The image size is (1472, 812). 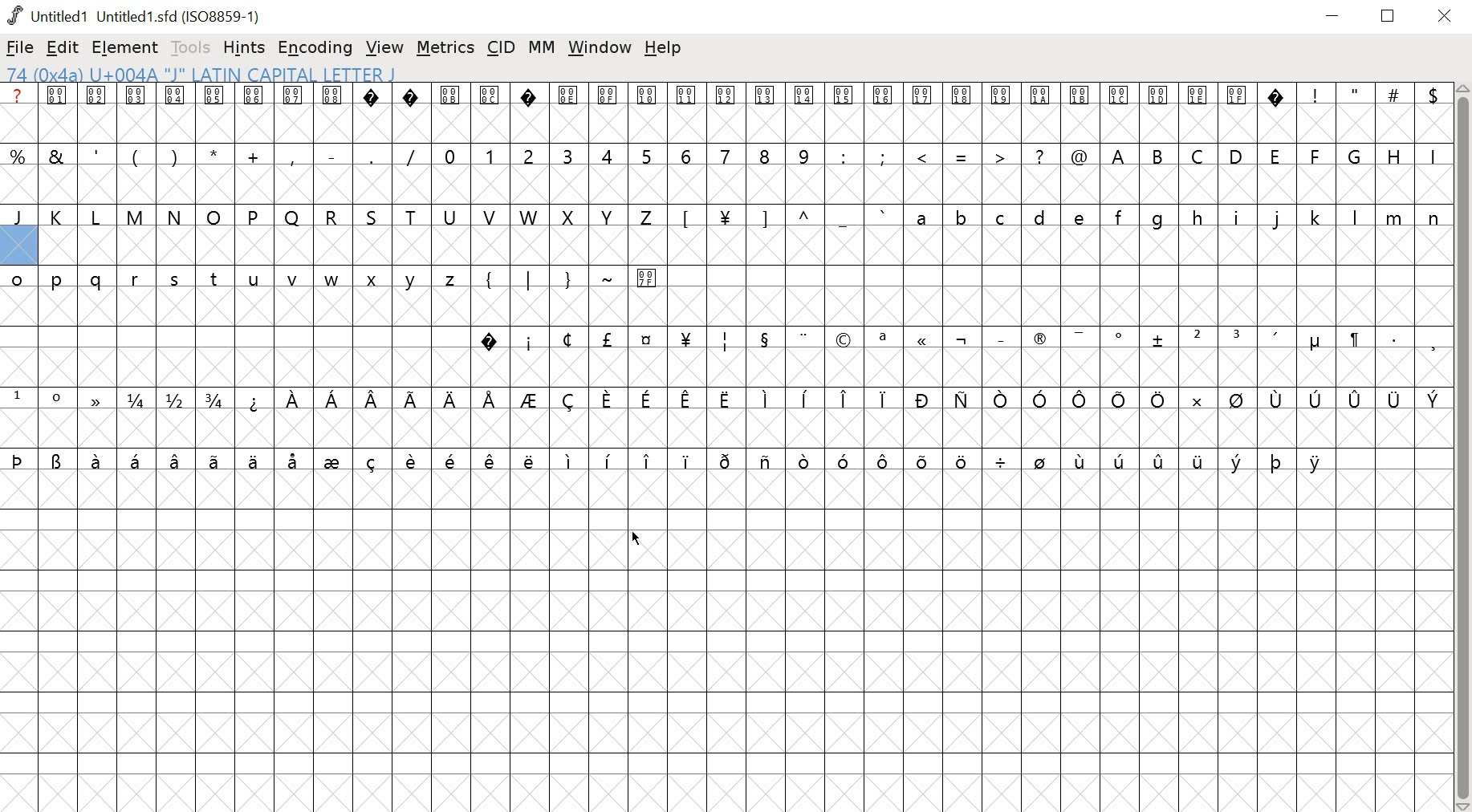 What do you see at coordinates (328, 217) in the screenshot?
I see `uppercase letters` at bounding box center [328, 217].